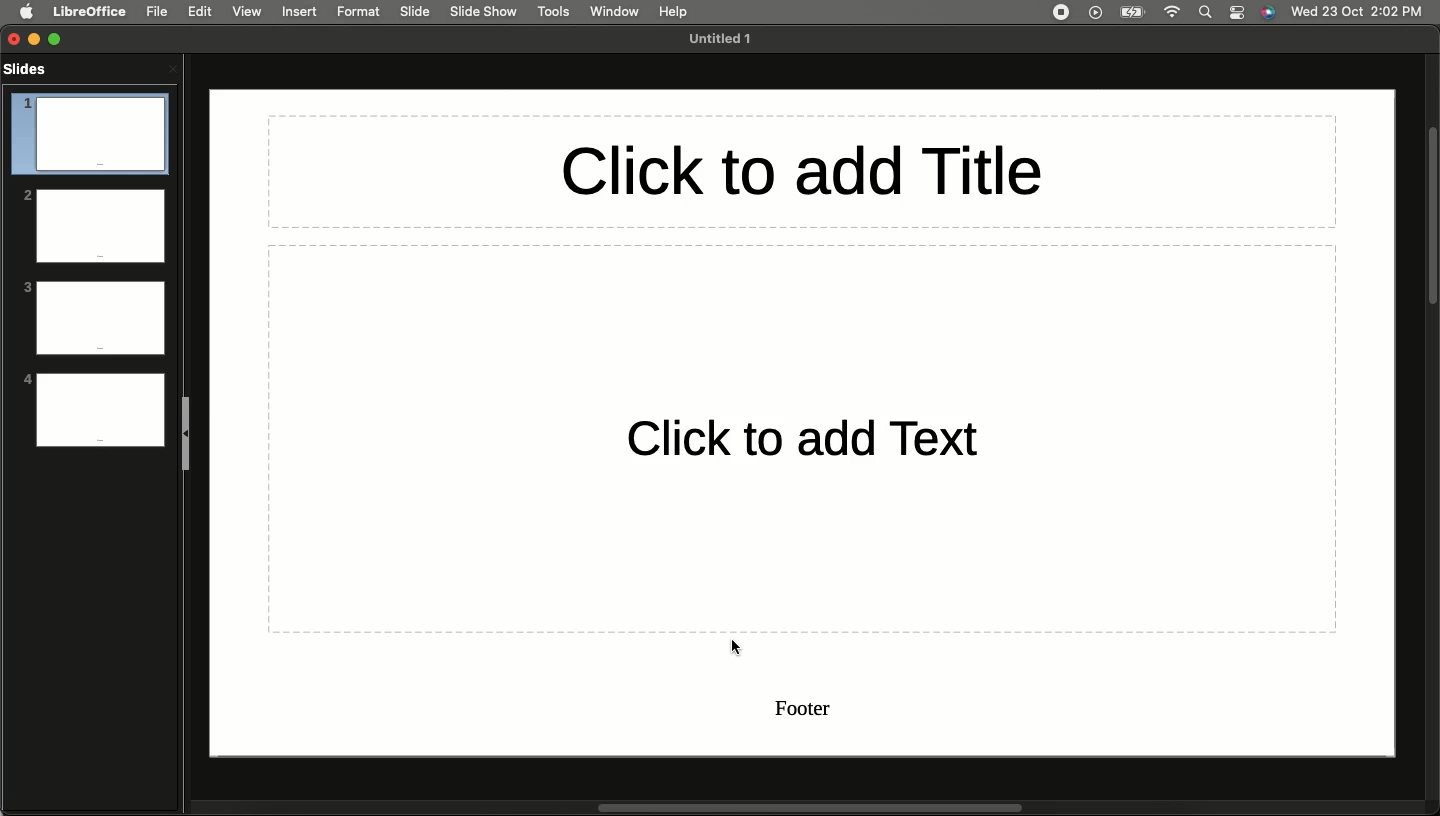 Image resolution: width=1440 pixels, height=816 pixels. What do you see at coordinates (101, 163) in the screenshot?
I see `Footer` at bounding box center [101, 163].